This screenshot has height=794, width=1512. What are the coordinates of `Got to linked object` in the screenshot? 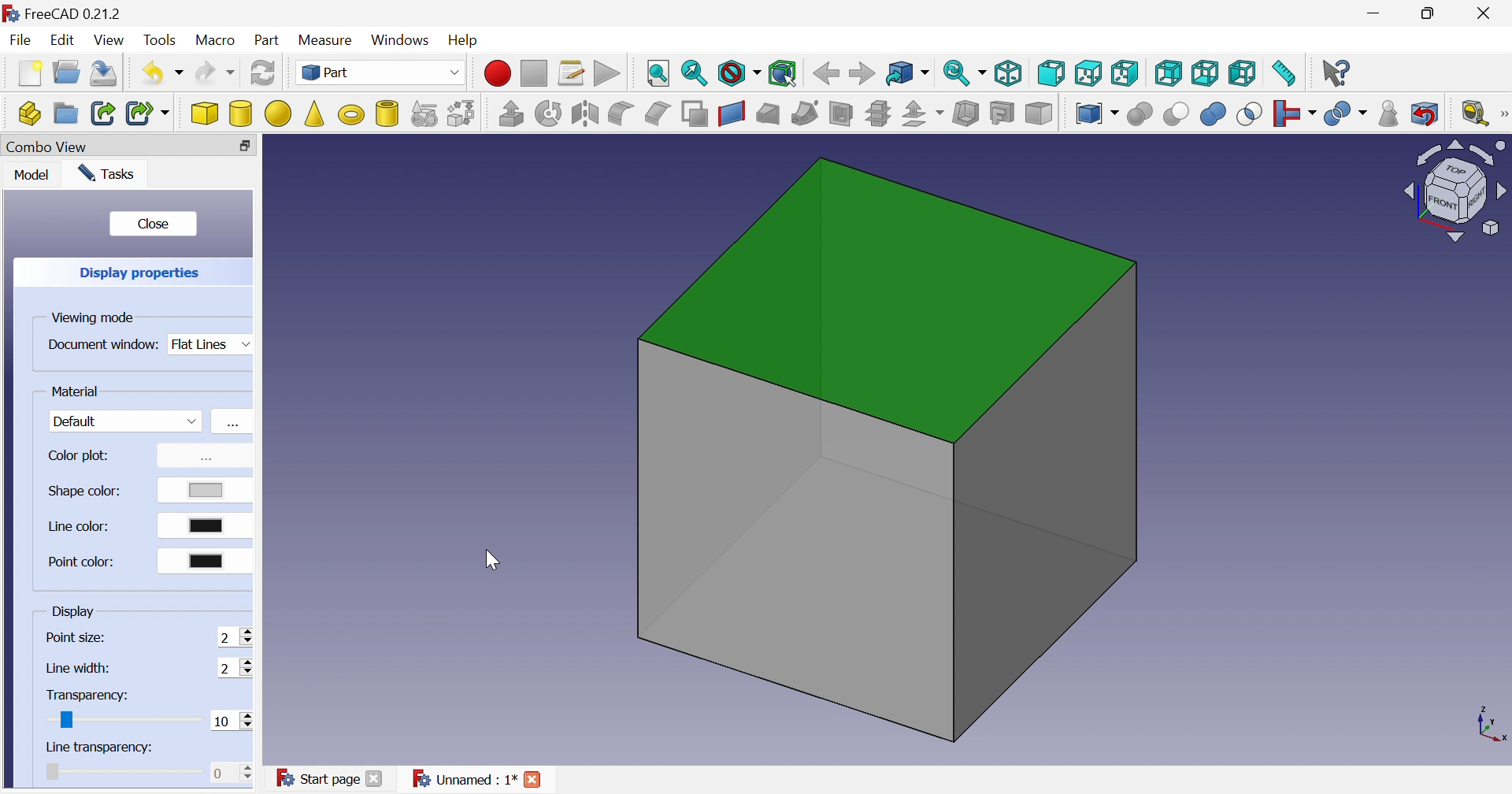 It's located at (908, 72).